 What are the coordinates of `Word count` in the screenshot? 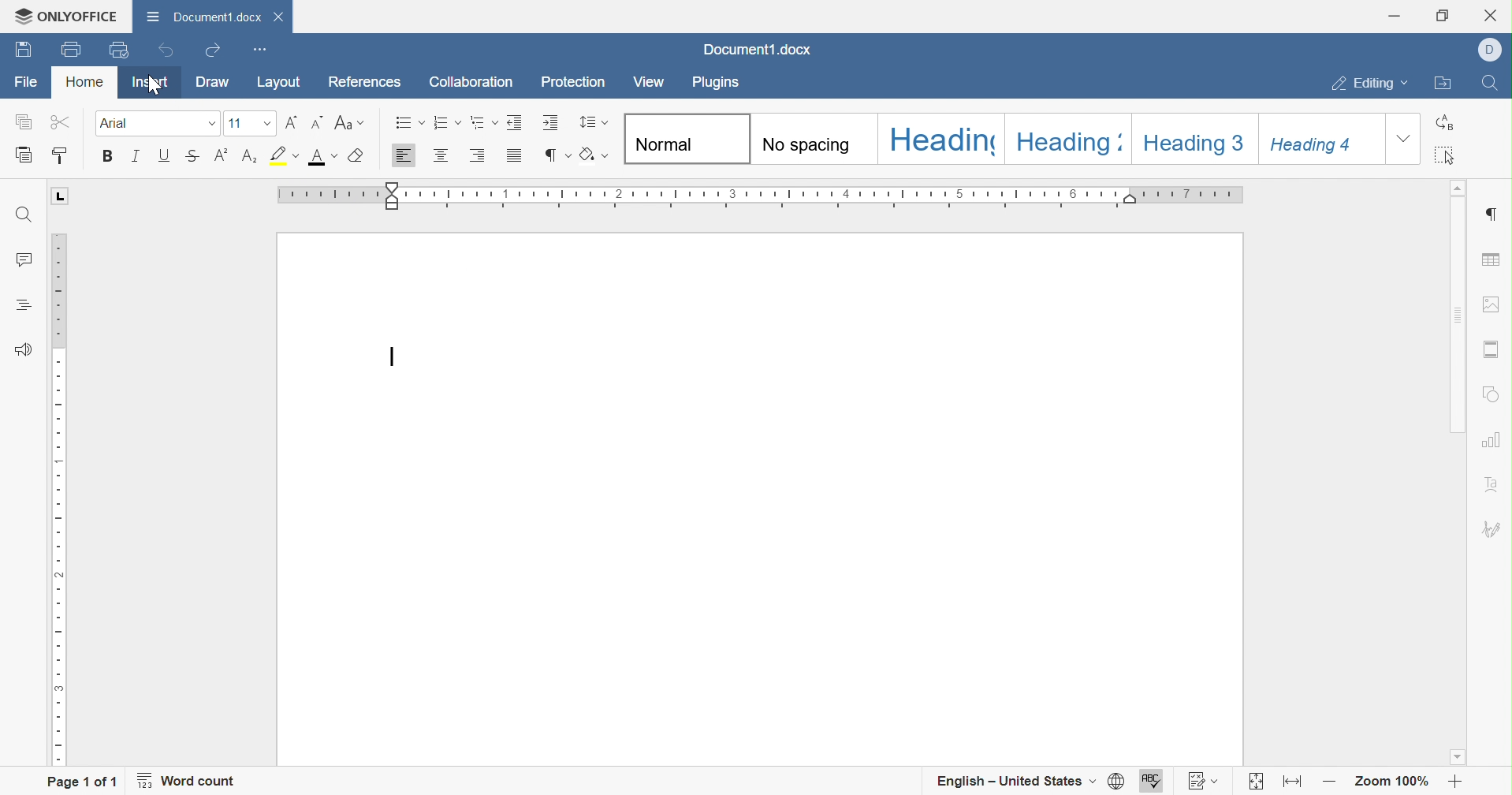 It's located at (191, 780).